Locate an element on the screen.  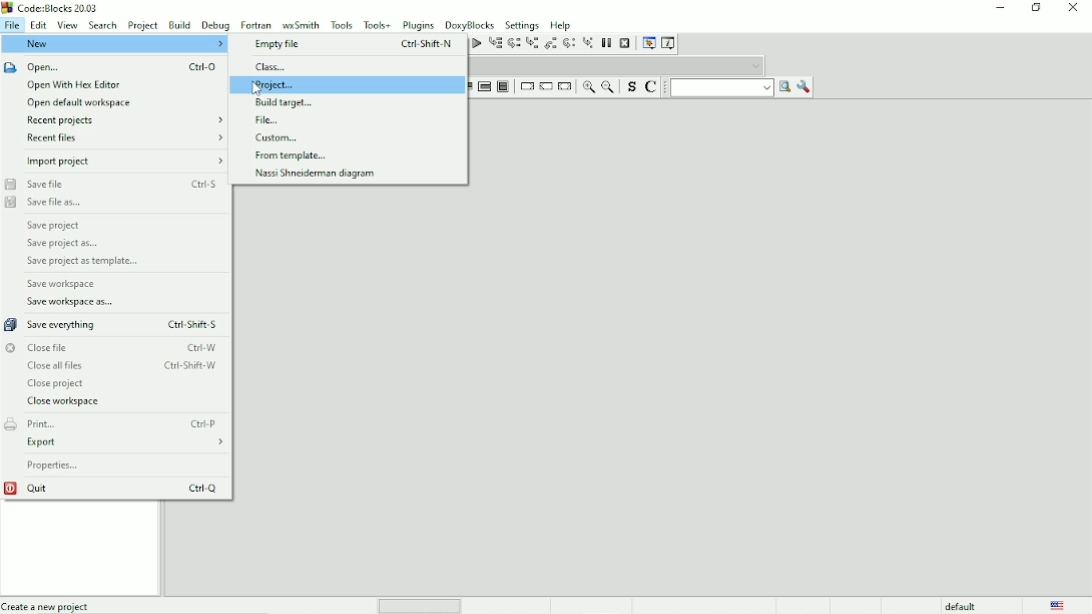
Export is located at coordinates (126, 443).